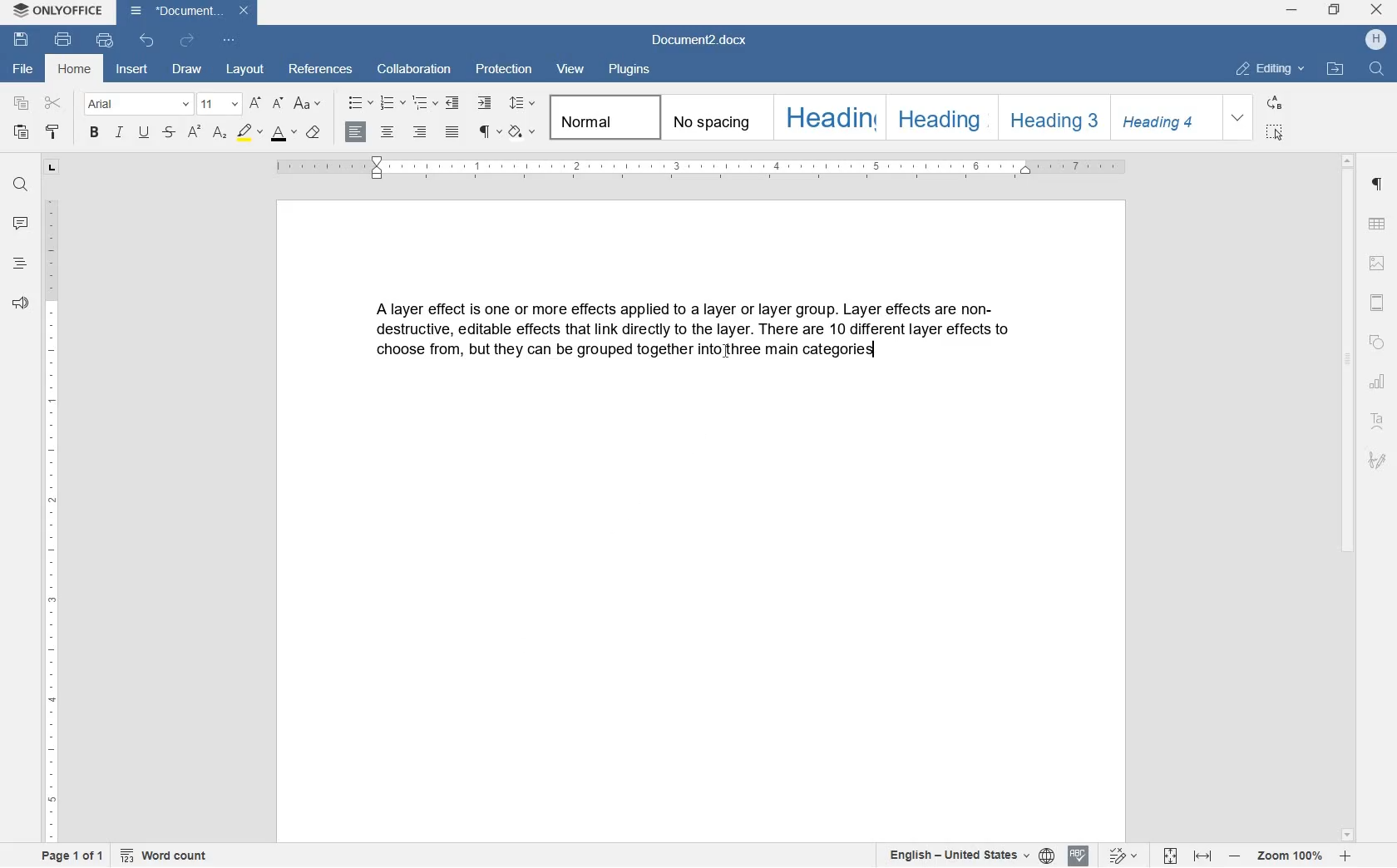 The image size is (1397, 868). Describe the element at coordinates (1380, 383) in the screenshot. I see `chart ` at that location.